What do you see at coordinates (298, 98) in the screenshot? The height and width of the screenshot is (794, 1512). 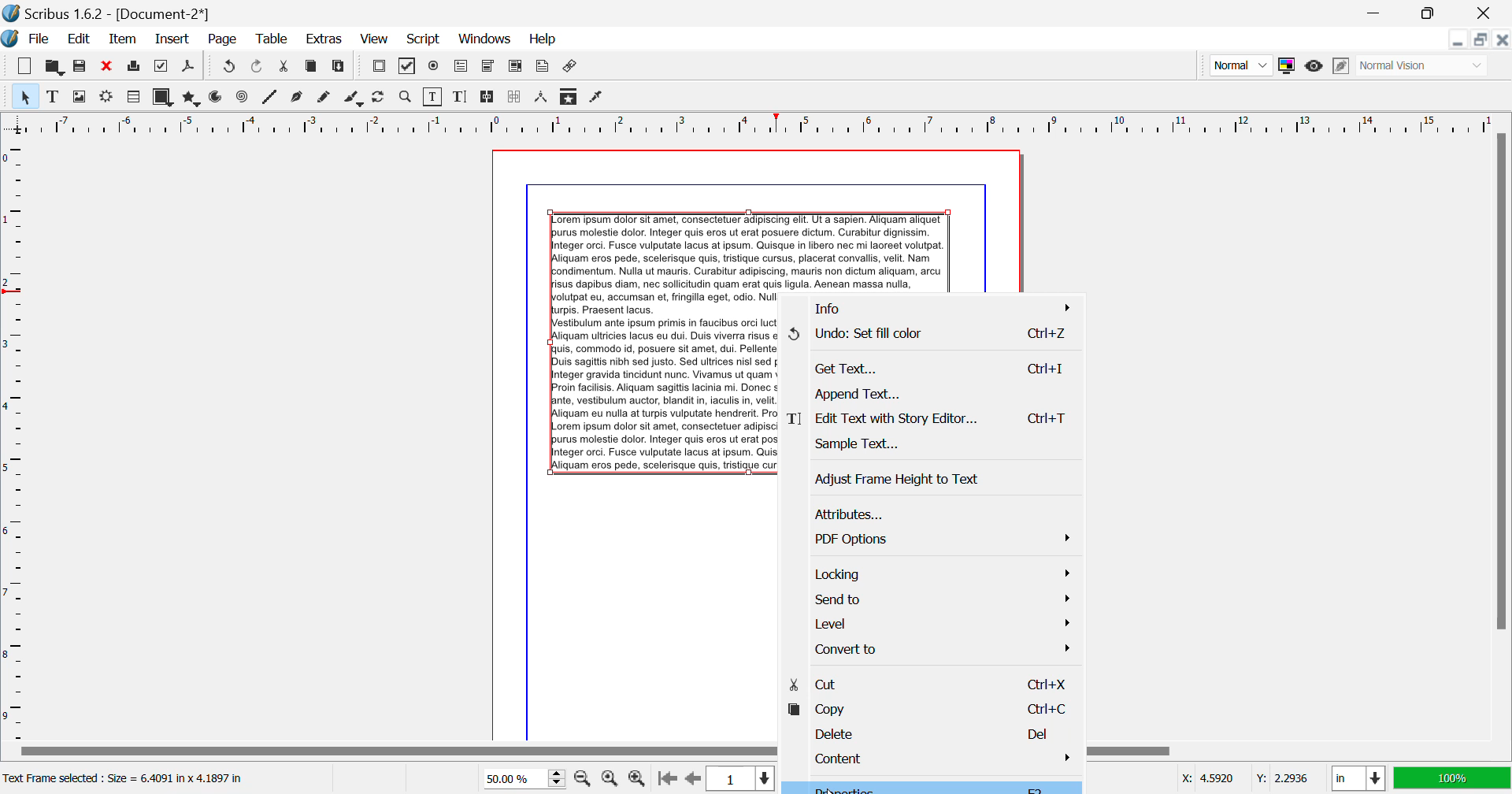 I see `Bezier Curve` at bounding box center [298, 98].